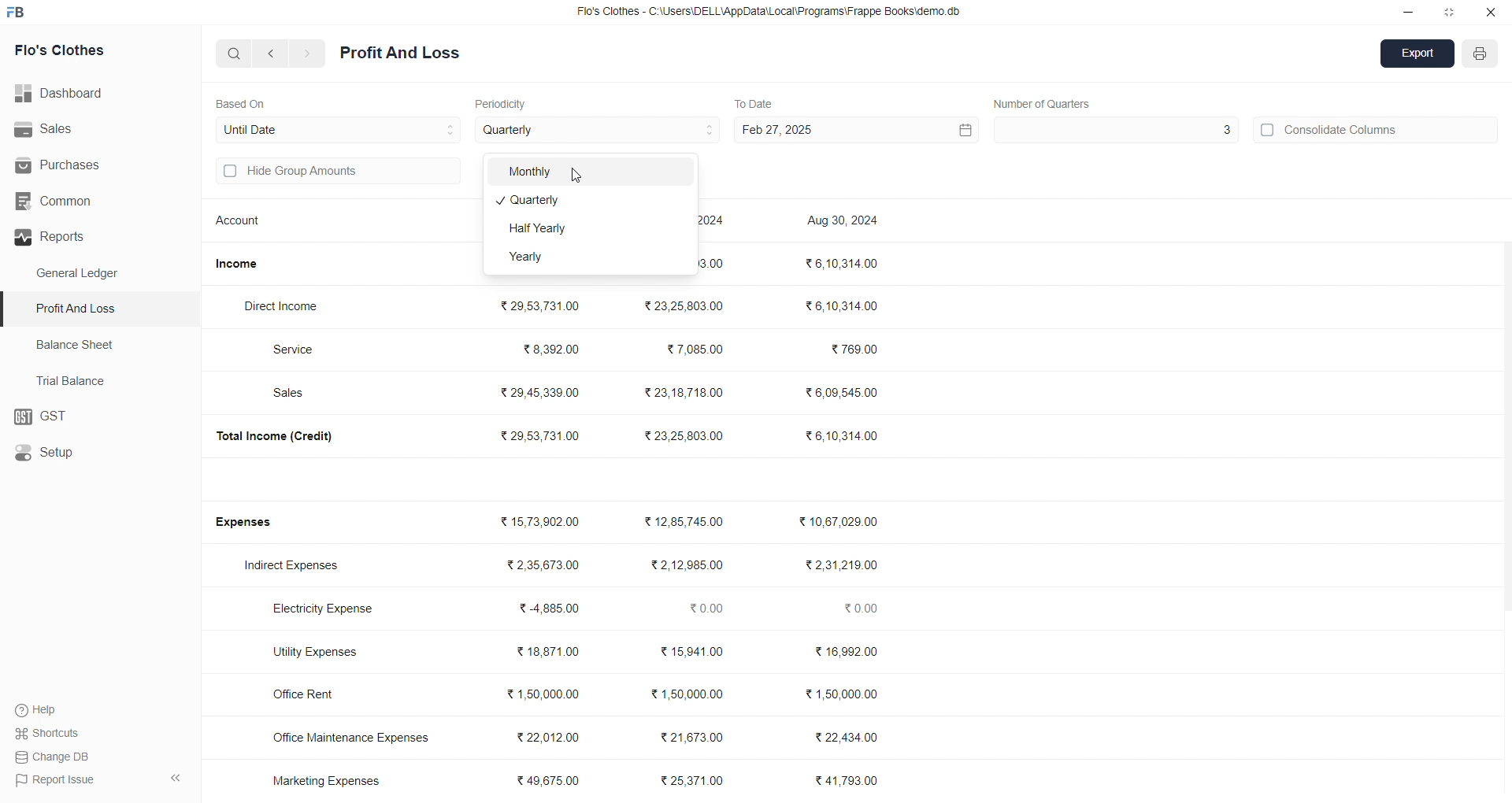  What do you see at coordinates (1480, 56) in the screenshot?
I see `PRINT` at bounding box center [1480, 56].